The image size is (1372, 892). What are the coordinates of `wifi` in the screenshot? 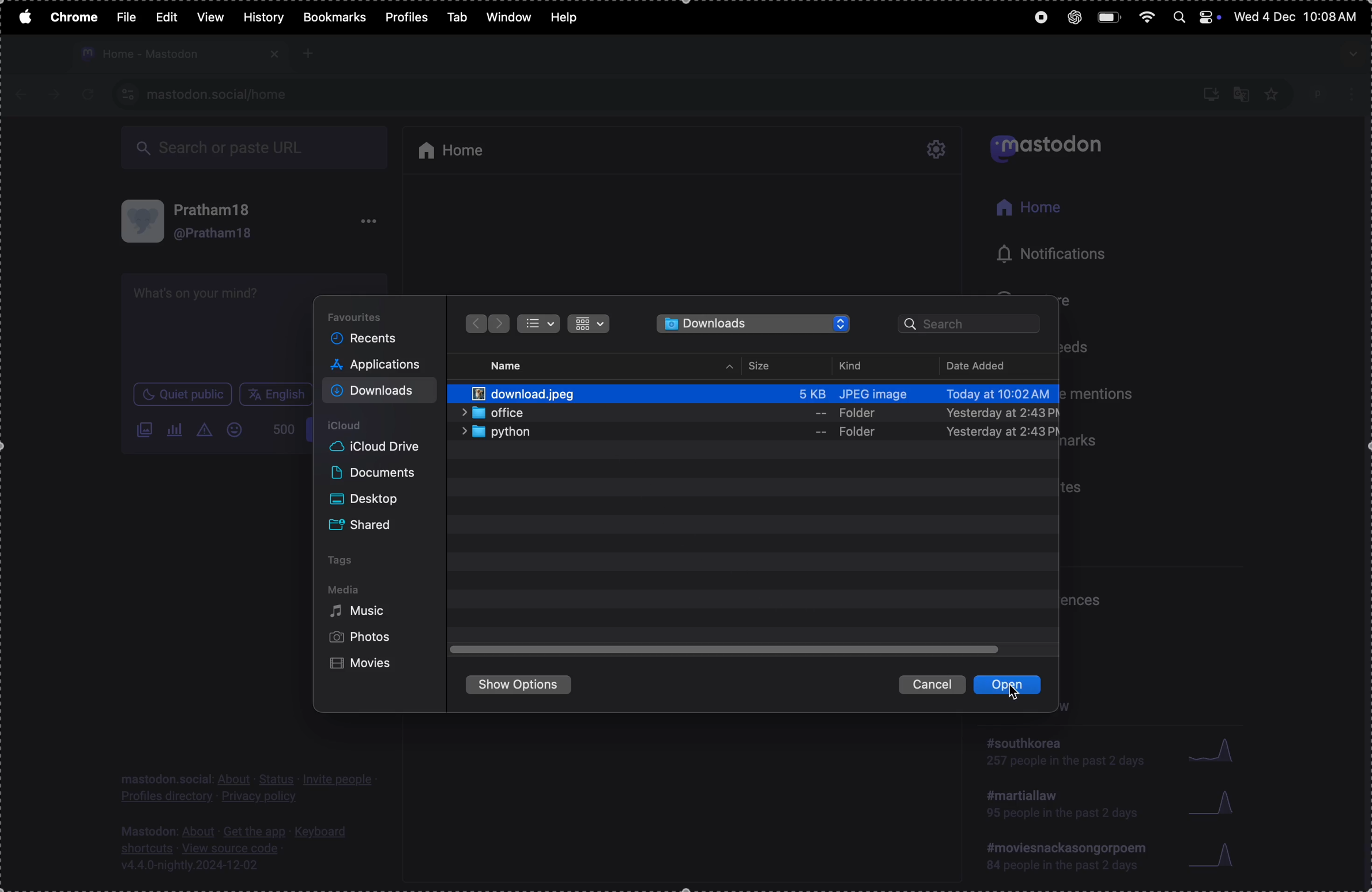 It's located at (1145, 17).